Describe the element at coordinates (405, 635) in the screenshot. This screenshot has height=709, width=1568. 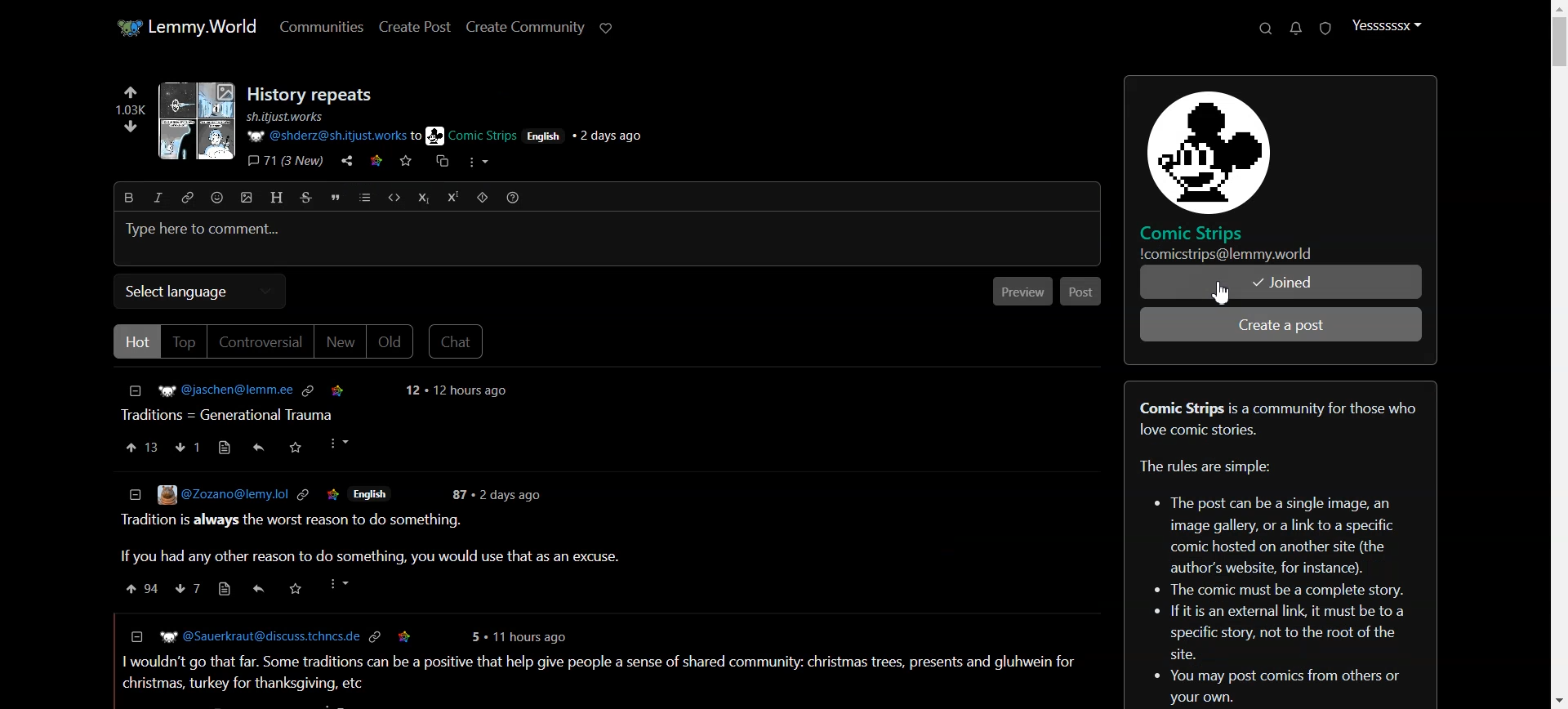
I see `save` at that location.